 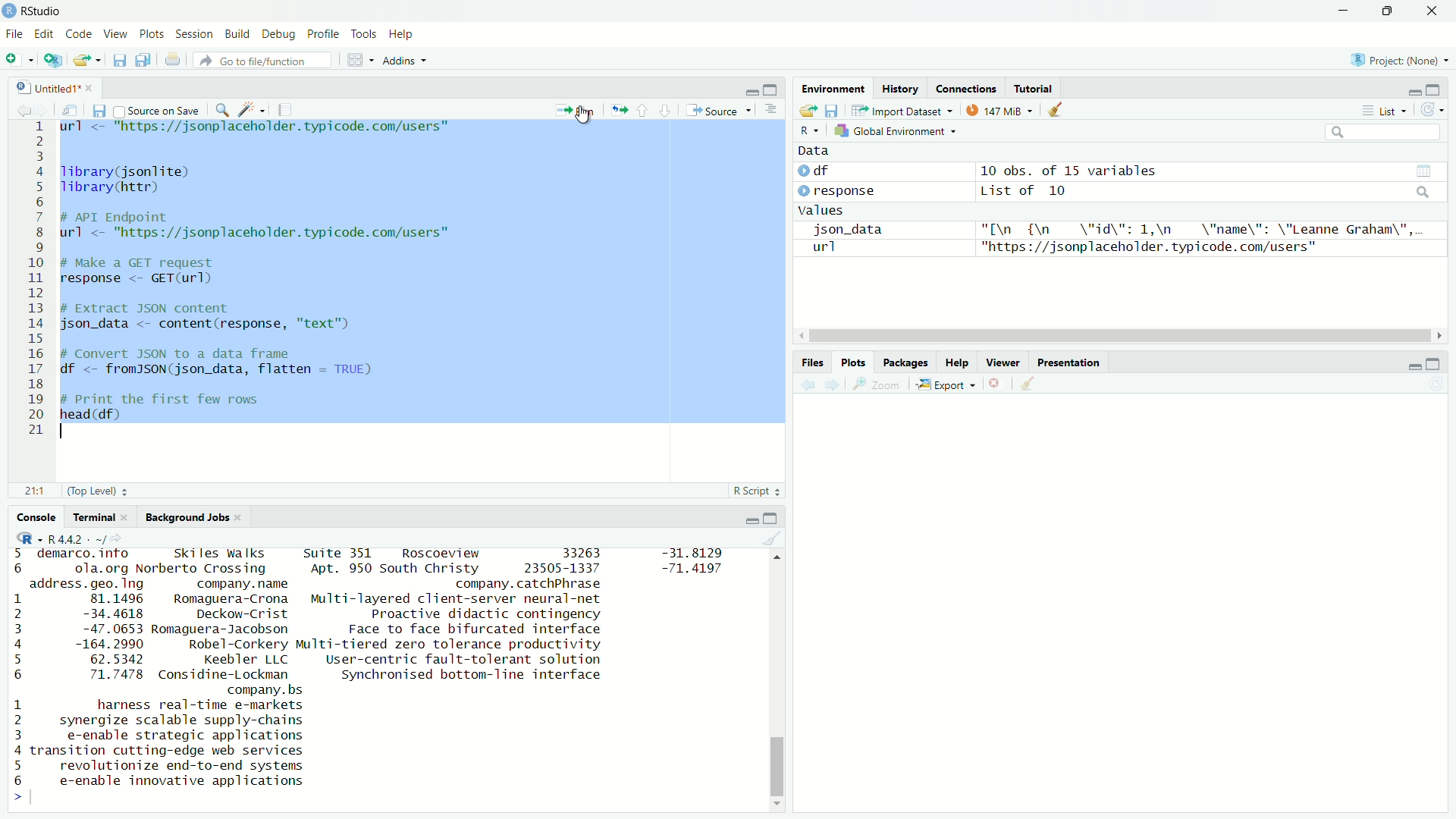 What do you see at coordinates (259, 130) in the screenshot?
I see `url <- "https://jsonplaceholder.typicode.com/users` at bounding box center [259, 130].